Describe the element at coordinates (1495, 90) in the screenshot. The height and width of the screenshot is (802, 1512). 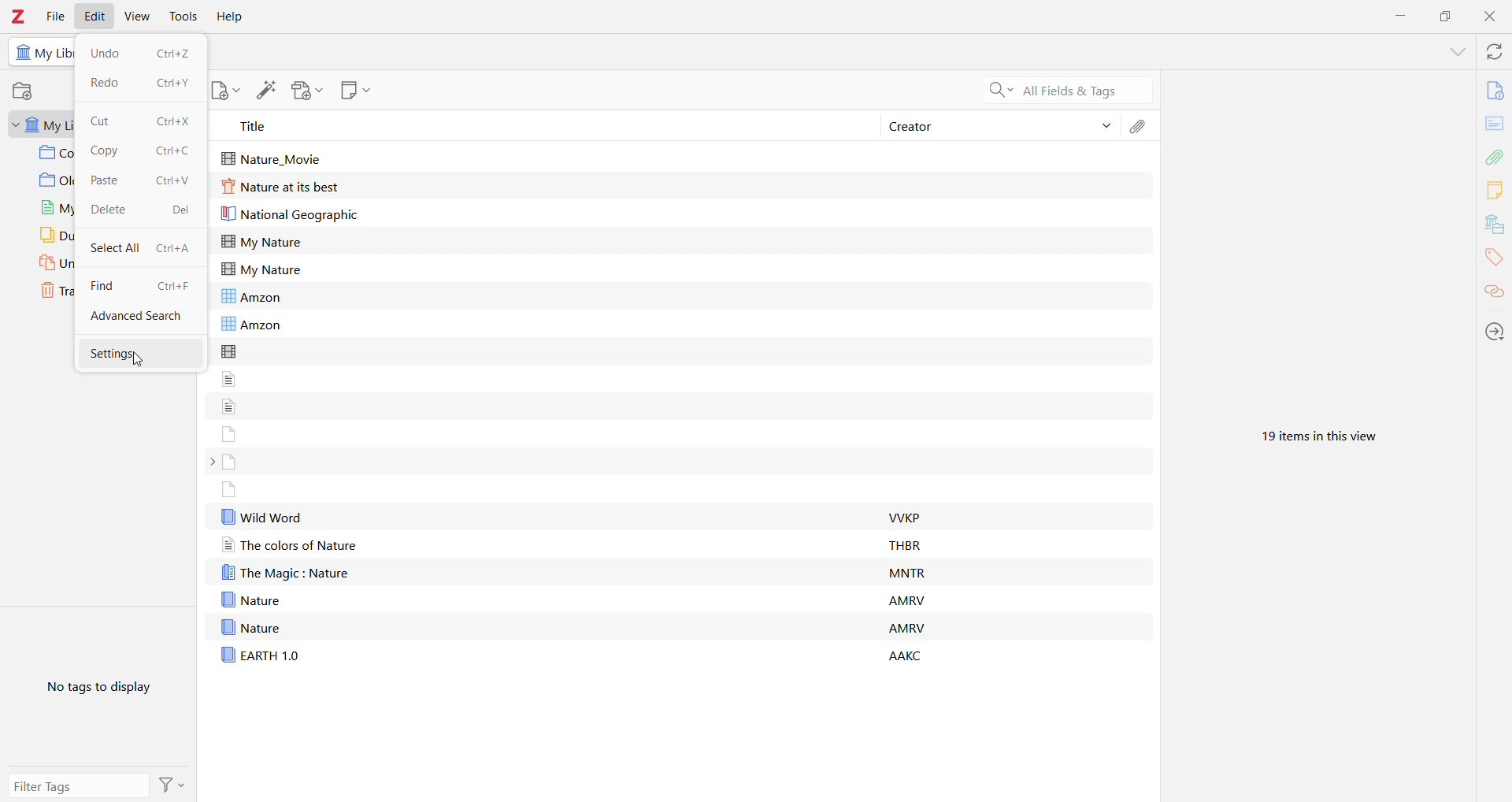
I see `Info` at that location.